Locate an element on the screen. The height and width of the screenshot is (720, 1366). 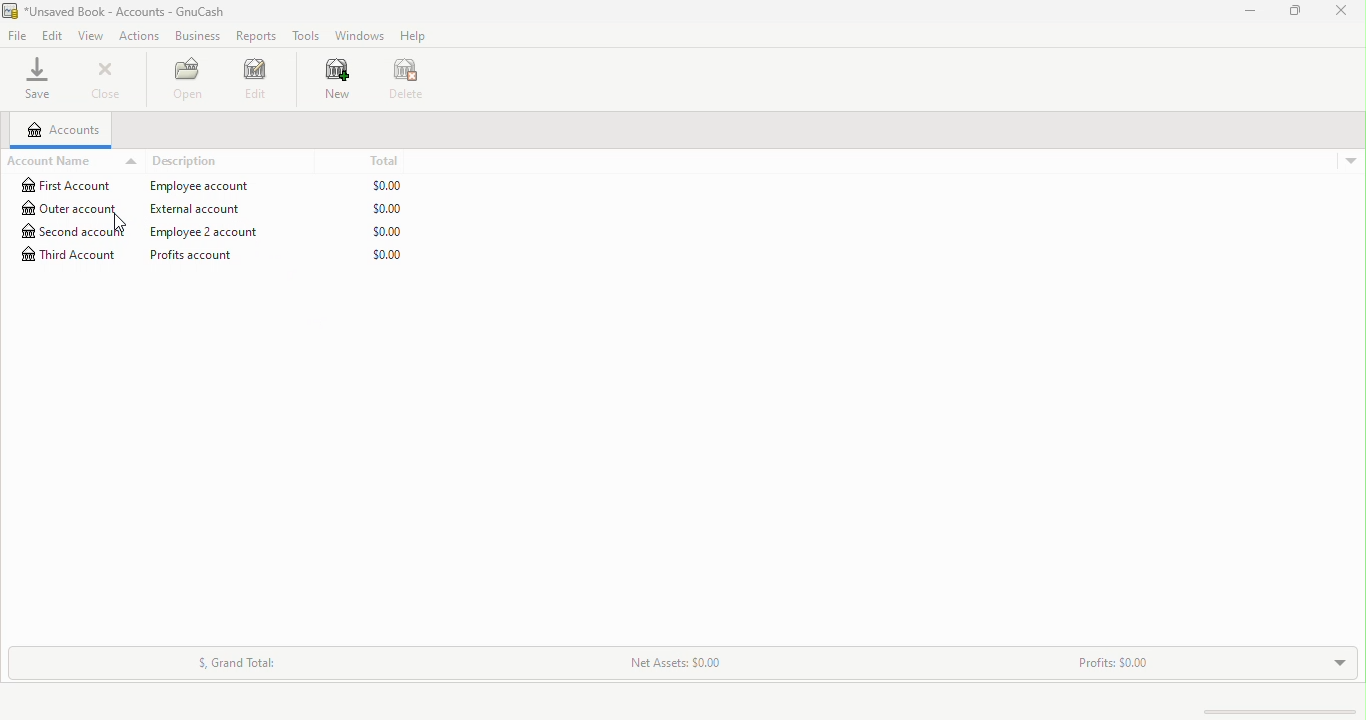
Maximize is located at coordinates (1292, 13).